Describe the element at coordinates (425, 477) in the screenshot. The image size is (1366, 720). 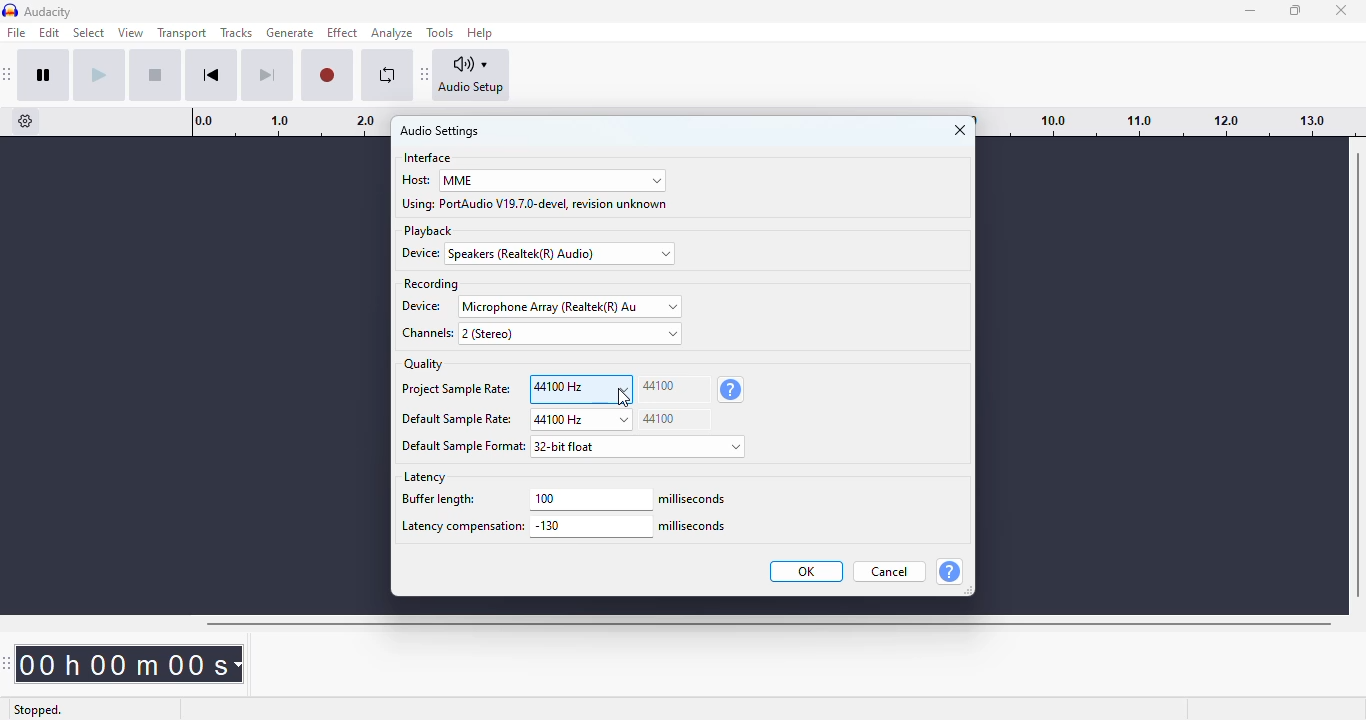
I see `latency` at that location.